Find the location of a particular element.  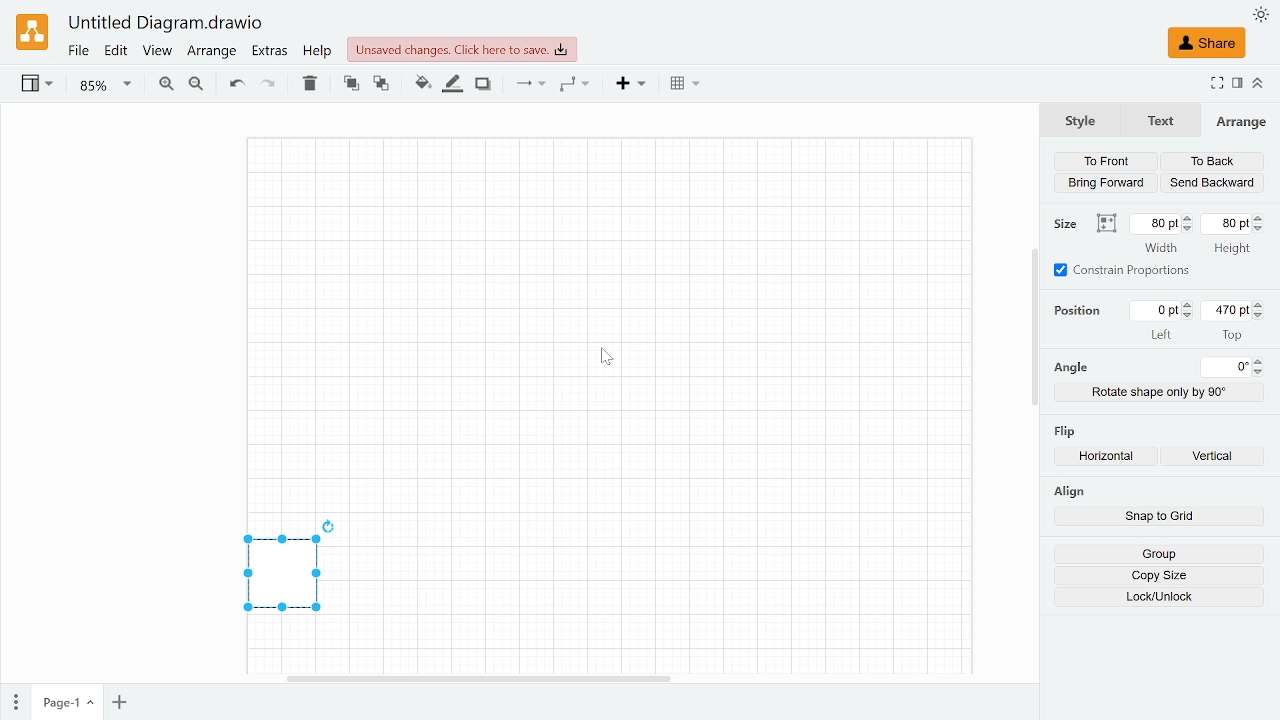

Edit is located at coordinates (117, 51).